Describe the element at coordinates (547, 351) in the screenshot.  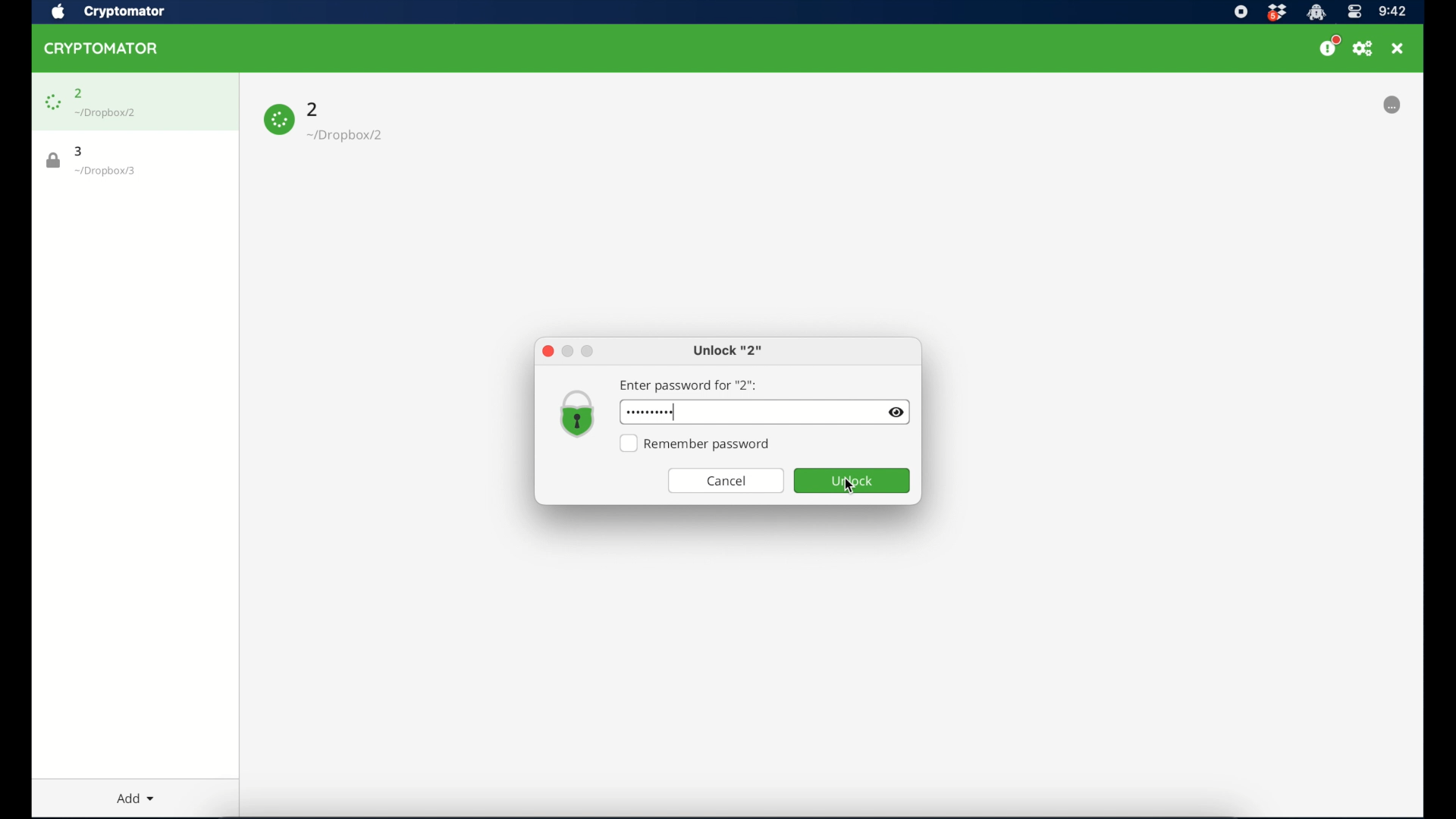
I see `close` at that location.